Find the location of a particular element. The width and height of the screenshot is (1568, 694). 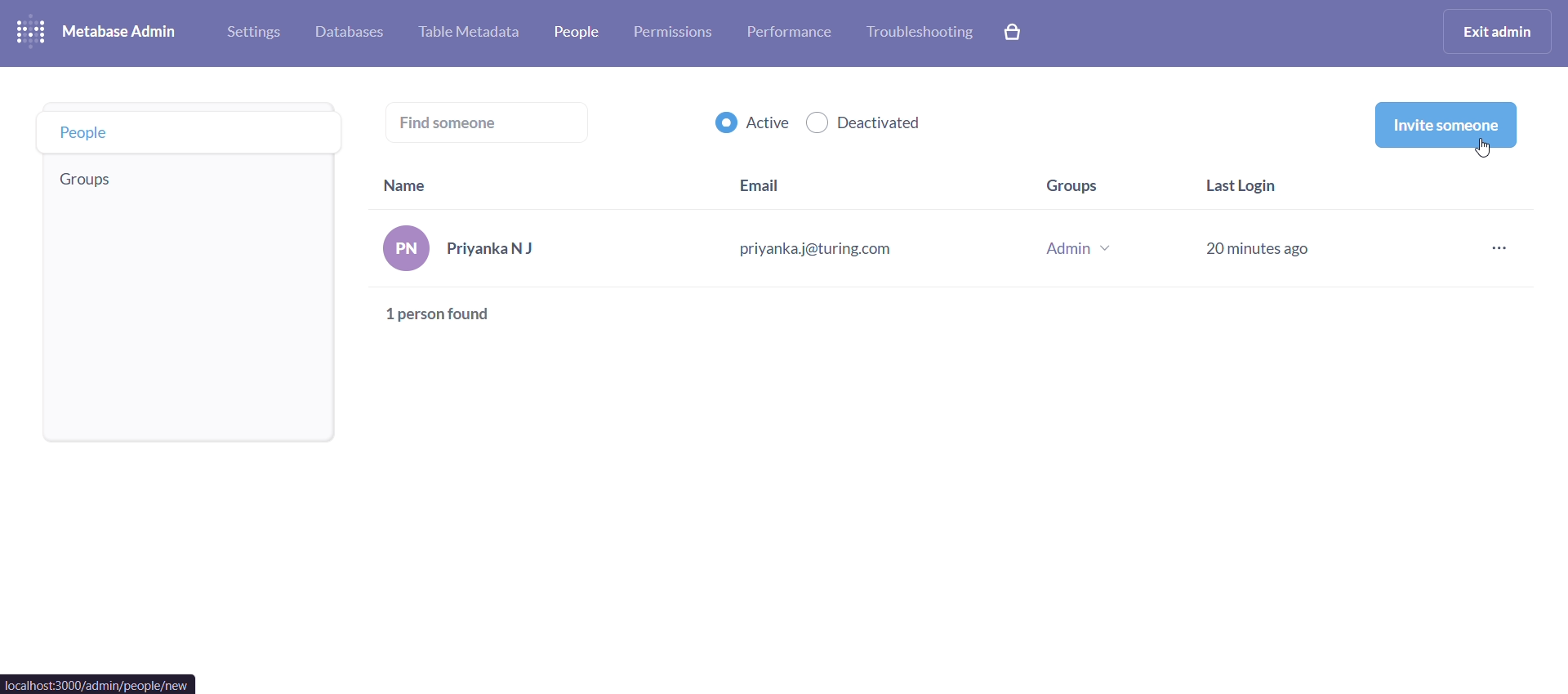

database is located at coordinates (346, 33).